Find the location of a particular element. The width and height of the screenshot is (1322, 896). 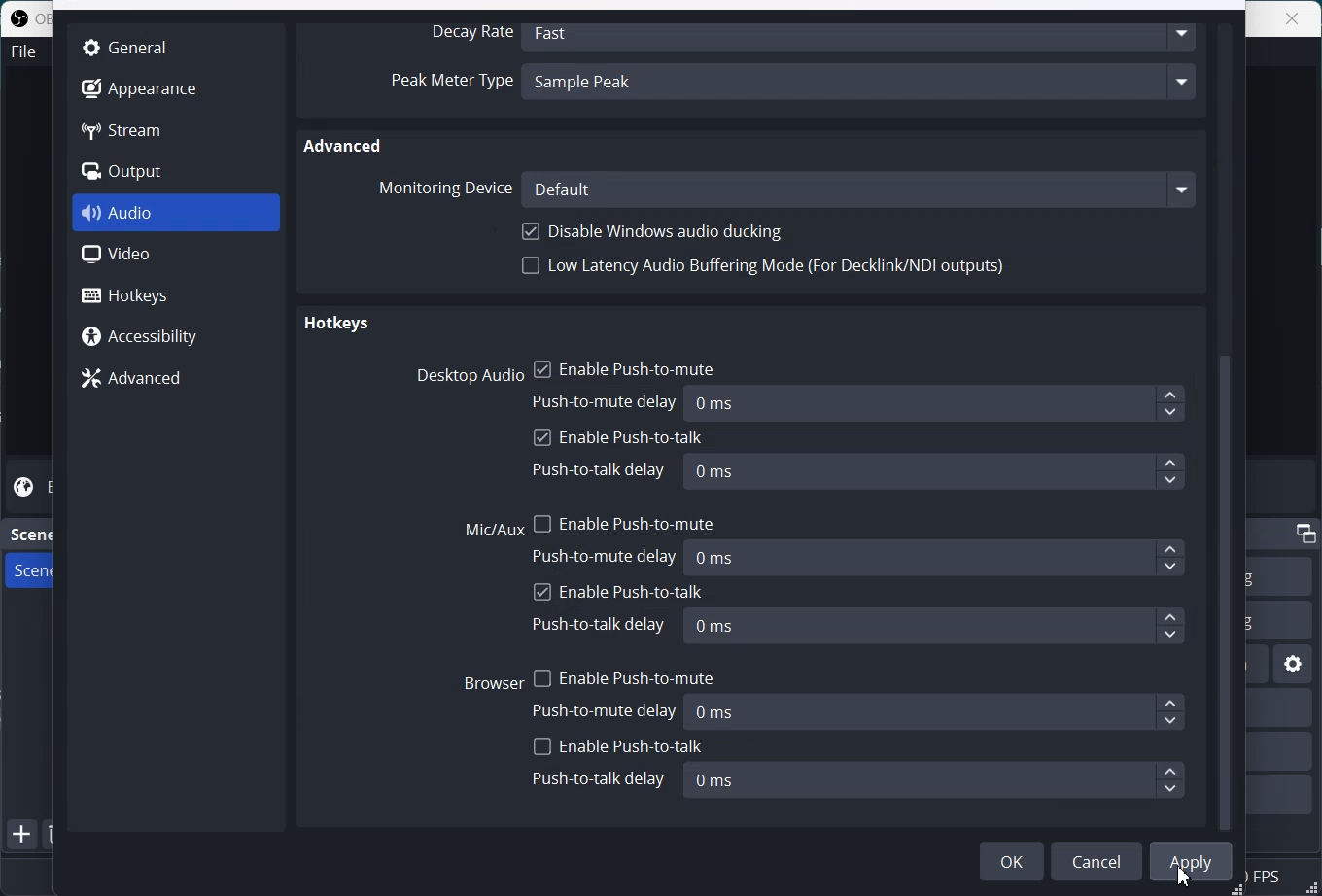

Apply is located at coordinates (1191, 862).